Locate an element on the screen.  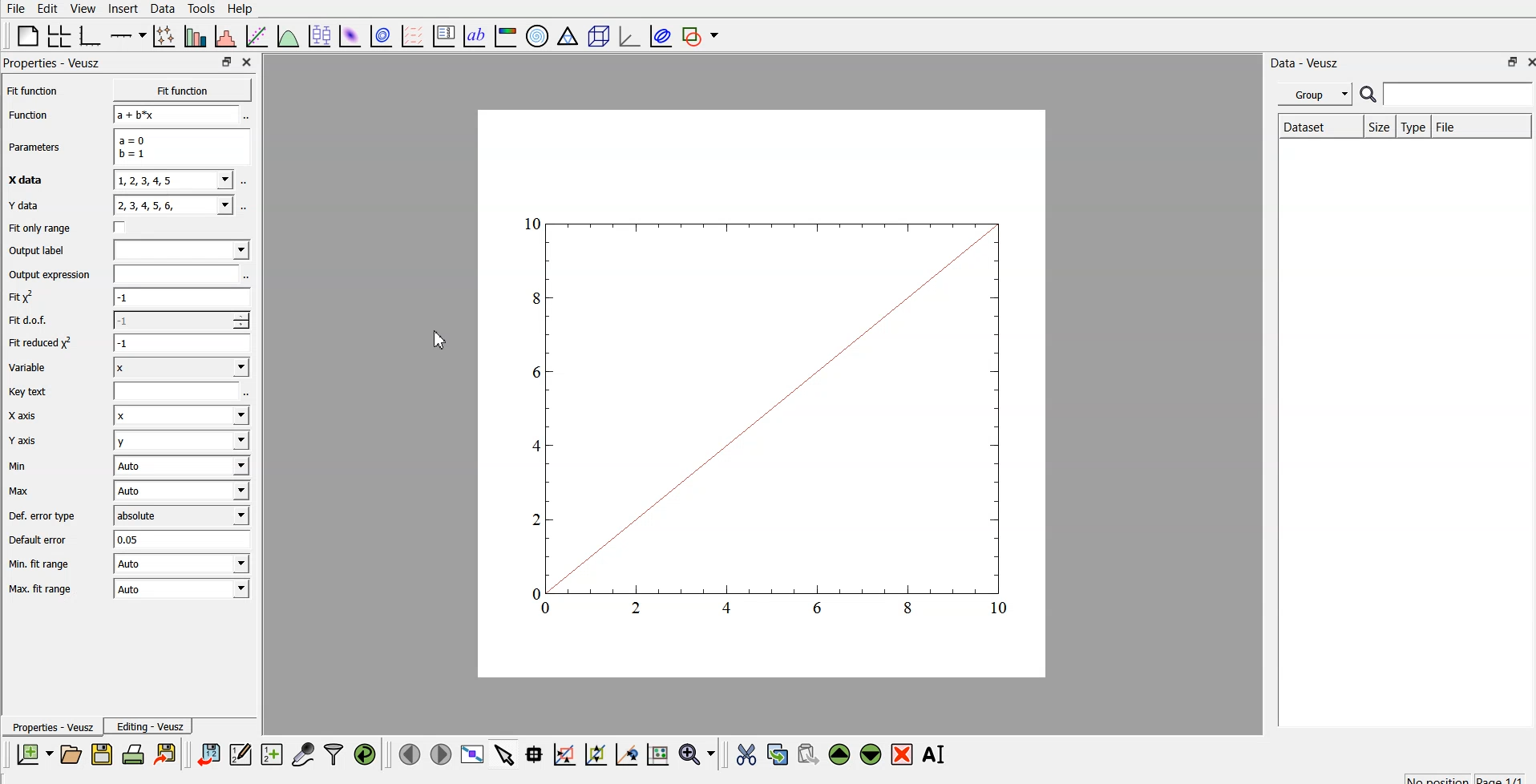
close is located at coordinates (1526, 65).